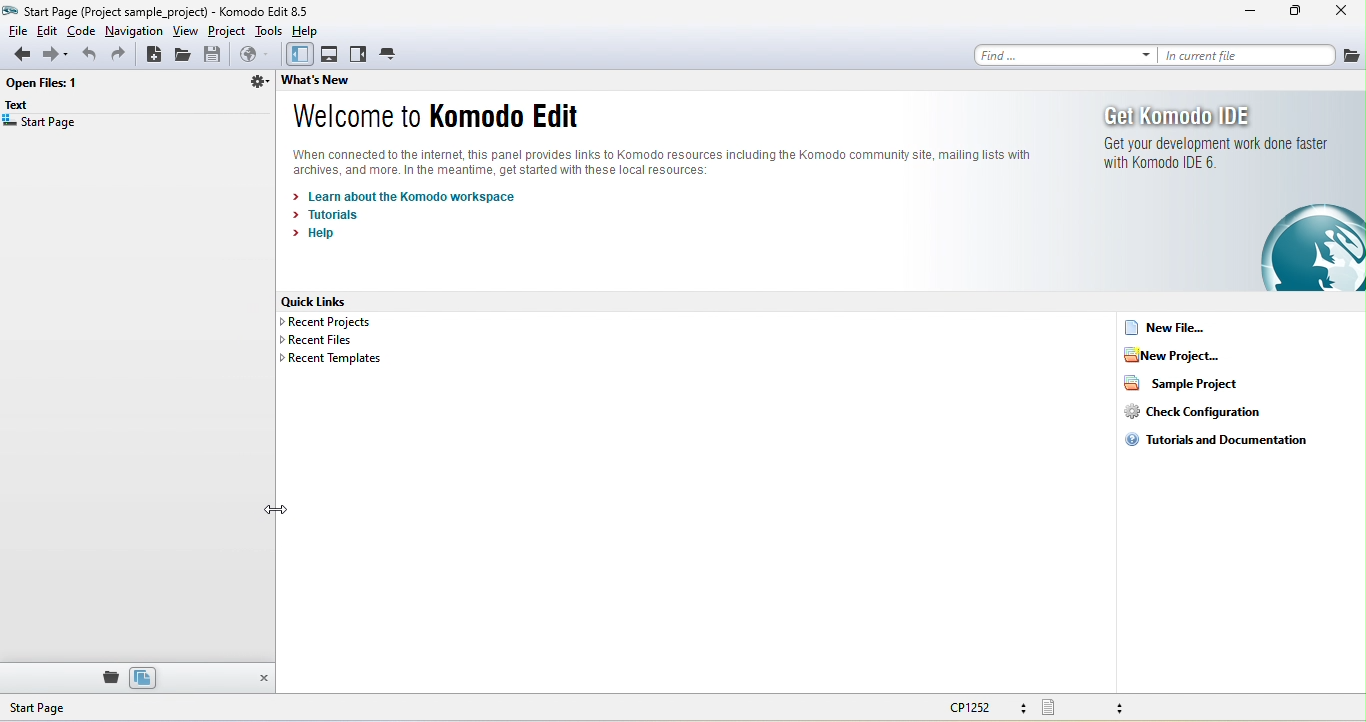 This screenshot has width=1366, height=722. What do you see at coordinates (411, 196) in the screenshot?
I see `learn about the komodo workspace` at bounding box center [411, 196].